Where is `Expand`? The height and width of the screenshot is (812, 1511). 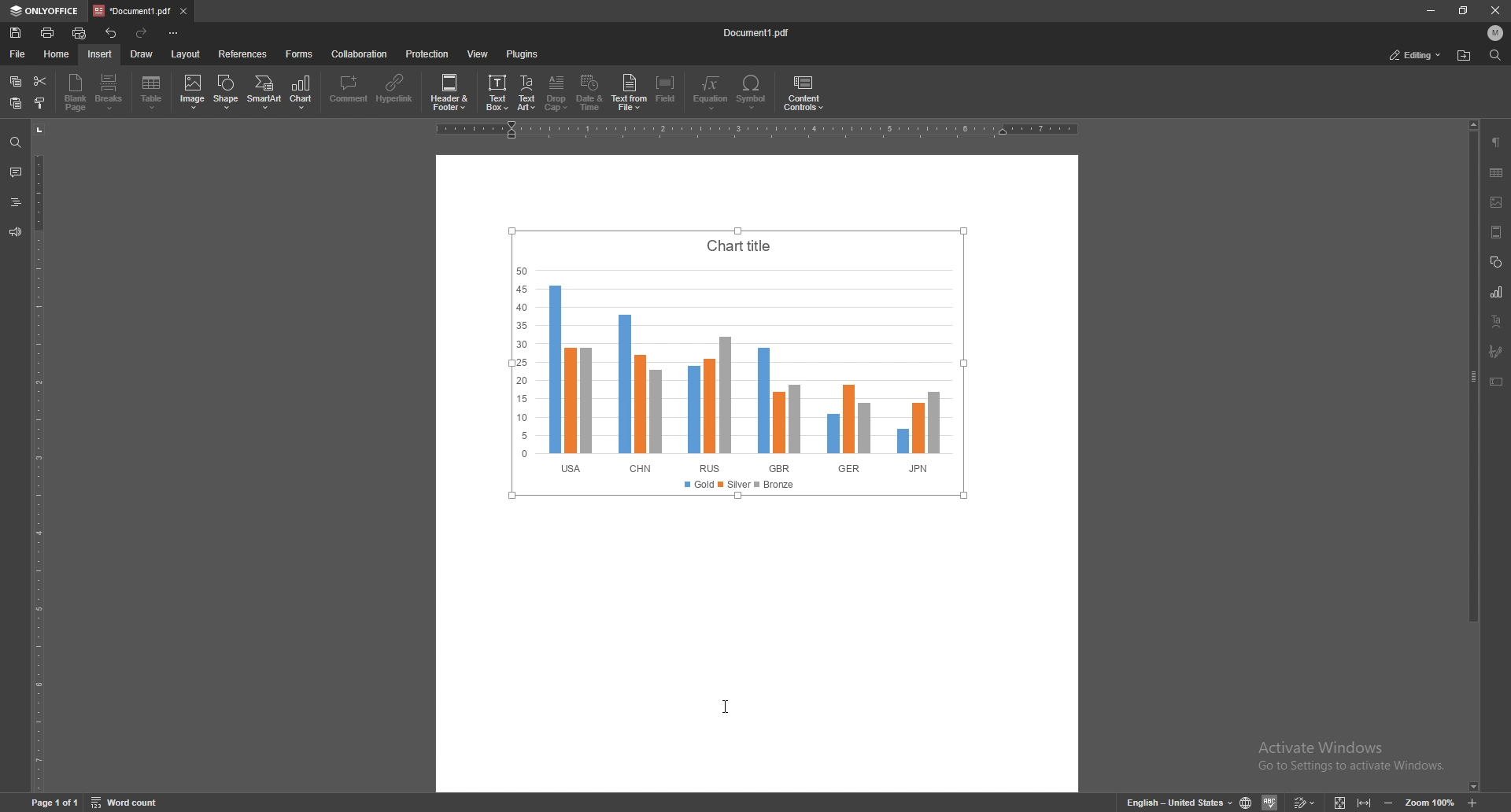
Expand is located at coordinates (1364, 803).